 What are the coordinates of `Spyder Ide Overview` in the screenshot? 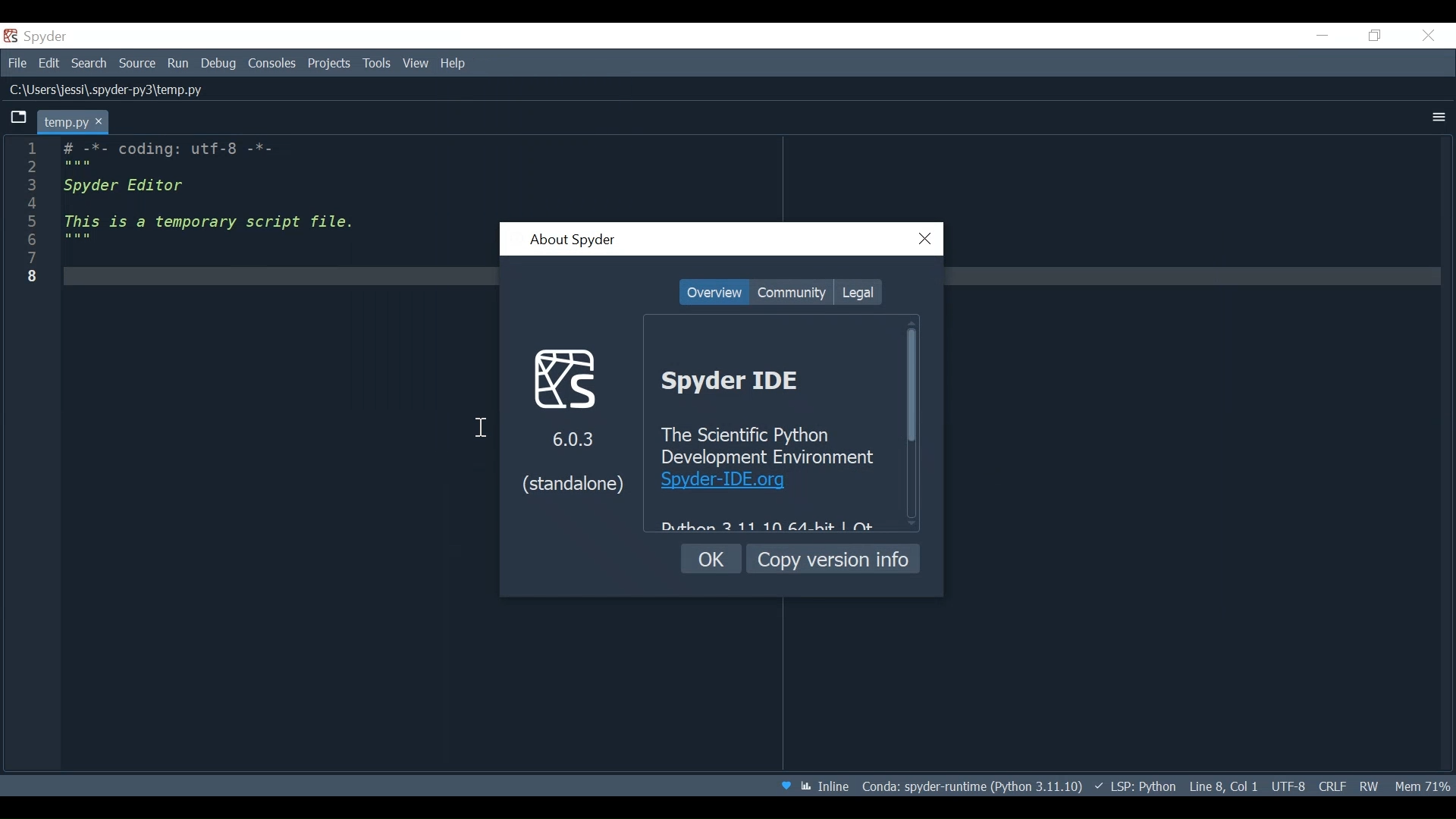 It's located at (768, 388).